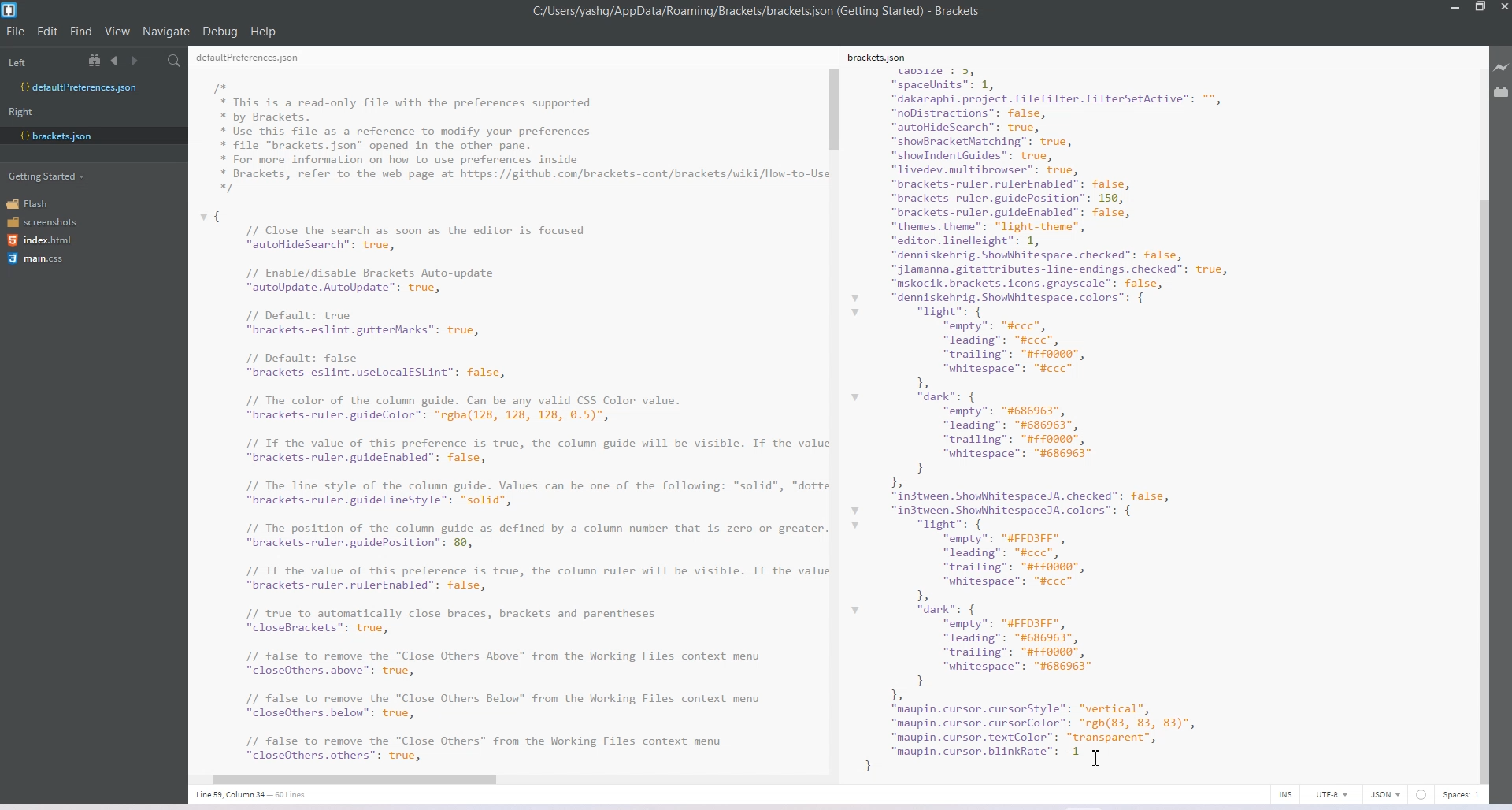  I want to click on Left, so click(17, 63).